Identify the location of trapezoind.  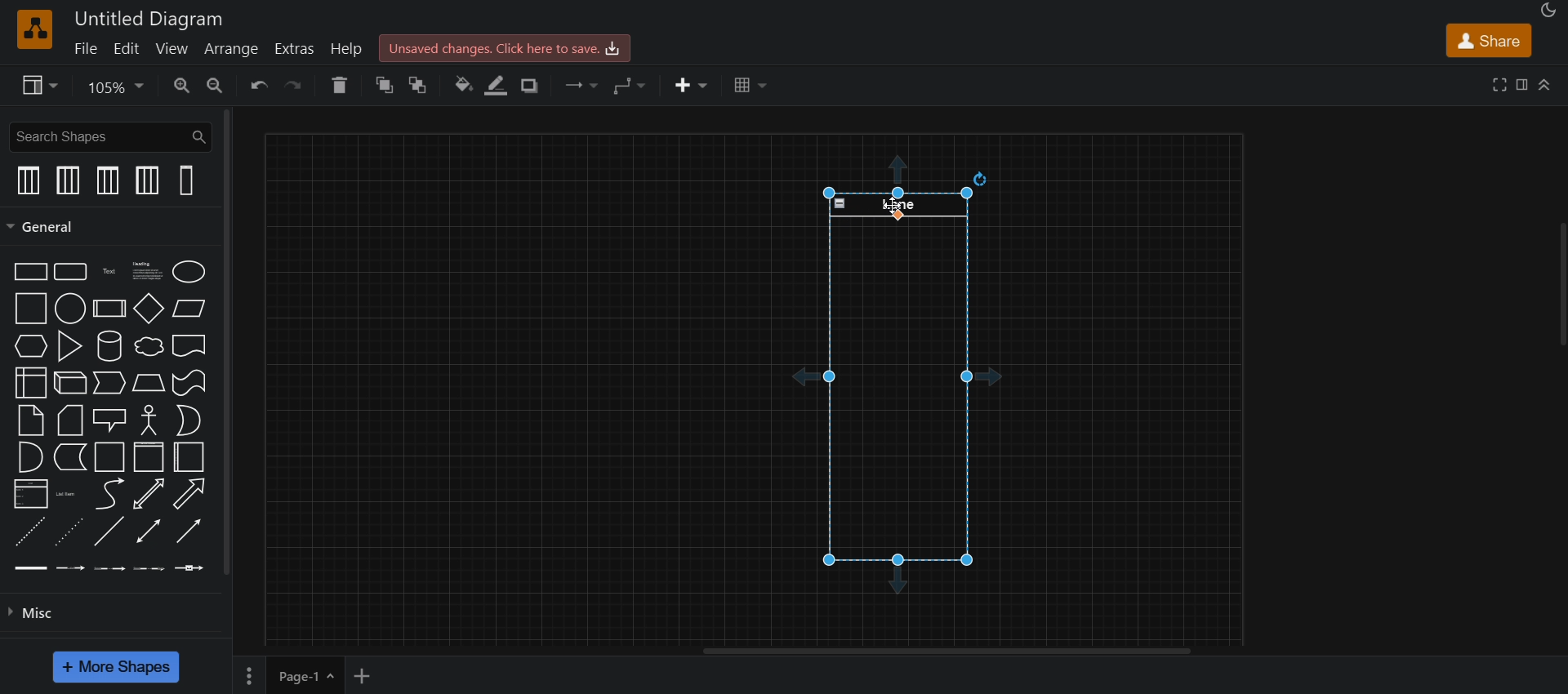
(145, 384).